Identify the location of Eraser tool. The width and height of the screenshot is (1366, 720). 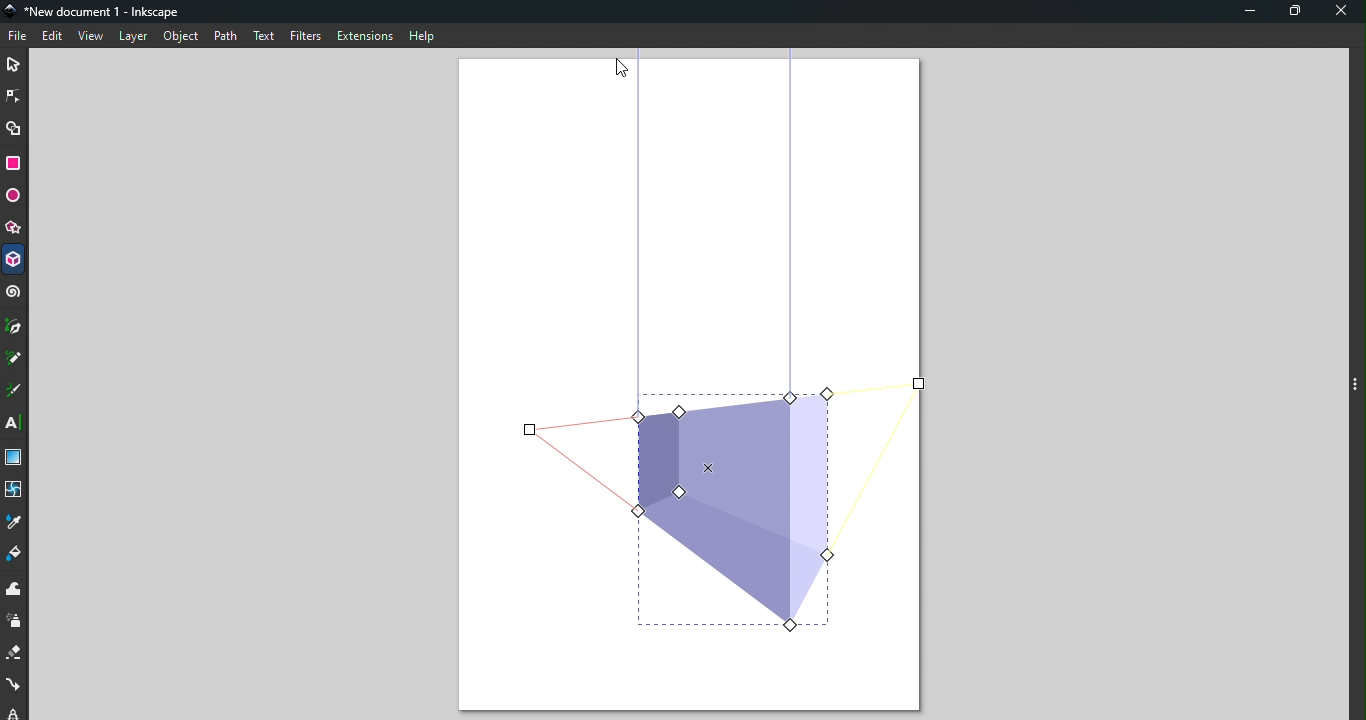
(15, 655).